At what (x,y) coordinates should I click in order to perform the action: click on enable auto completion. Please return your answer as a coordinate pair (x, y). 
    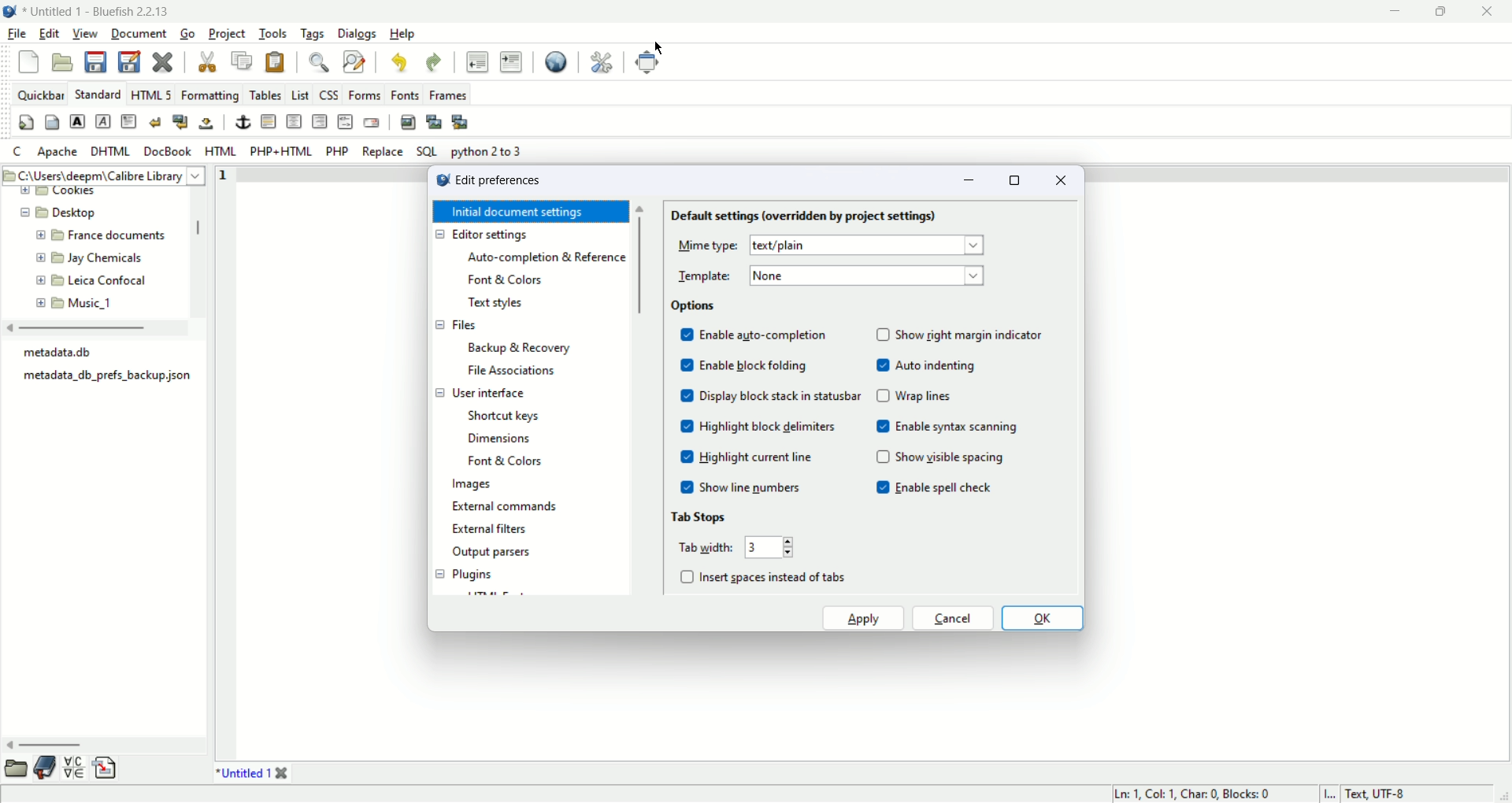
    Looking at the image, I should click on (765, 335).